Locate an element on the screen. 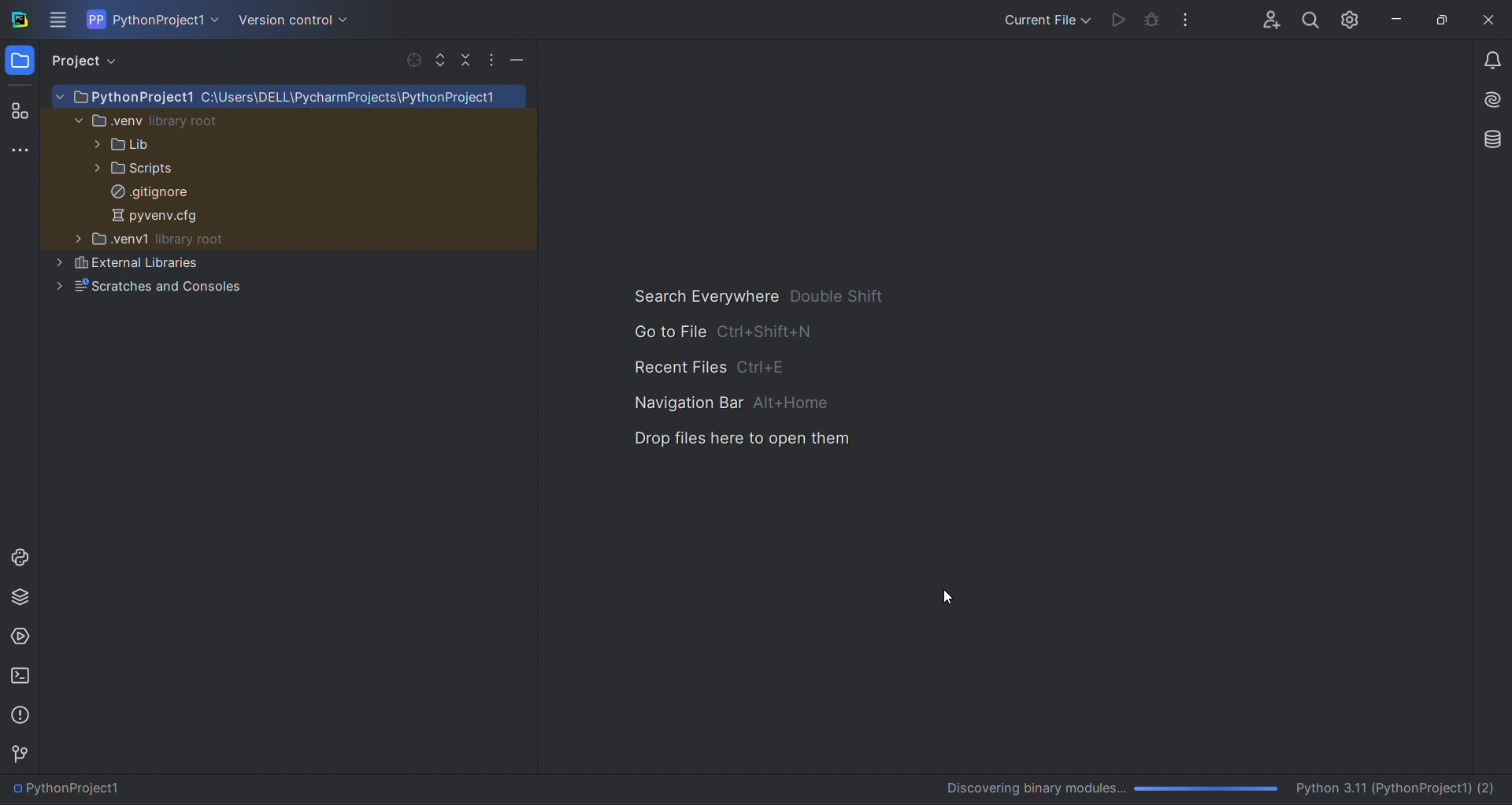  PythonProject1 is located at coordinates (72, 789).